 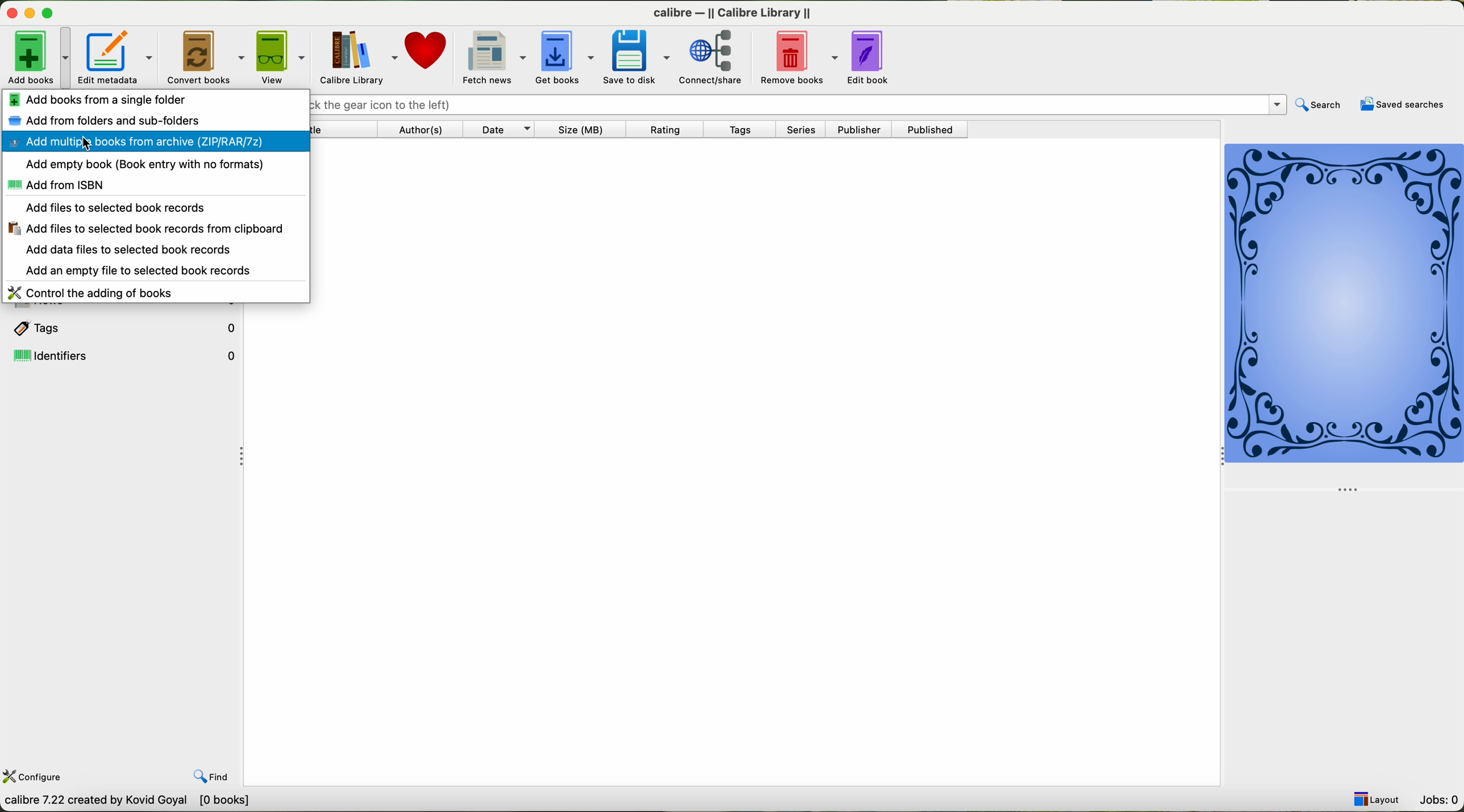 What do you see at coordinates (36, 56) in the screenshot?
I see `on add books` at bounding box center [36, 56].